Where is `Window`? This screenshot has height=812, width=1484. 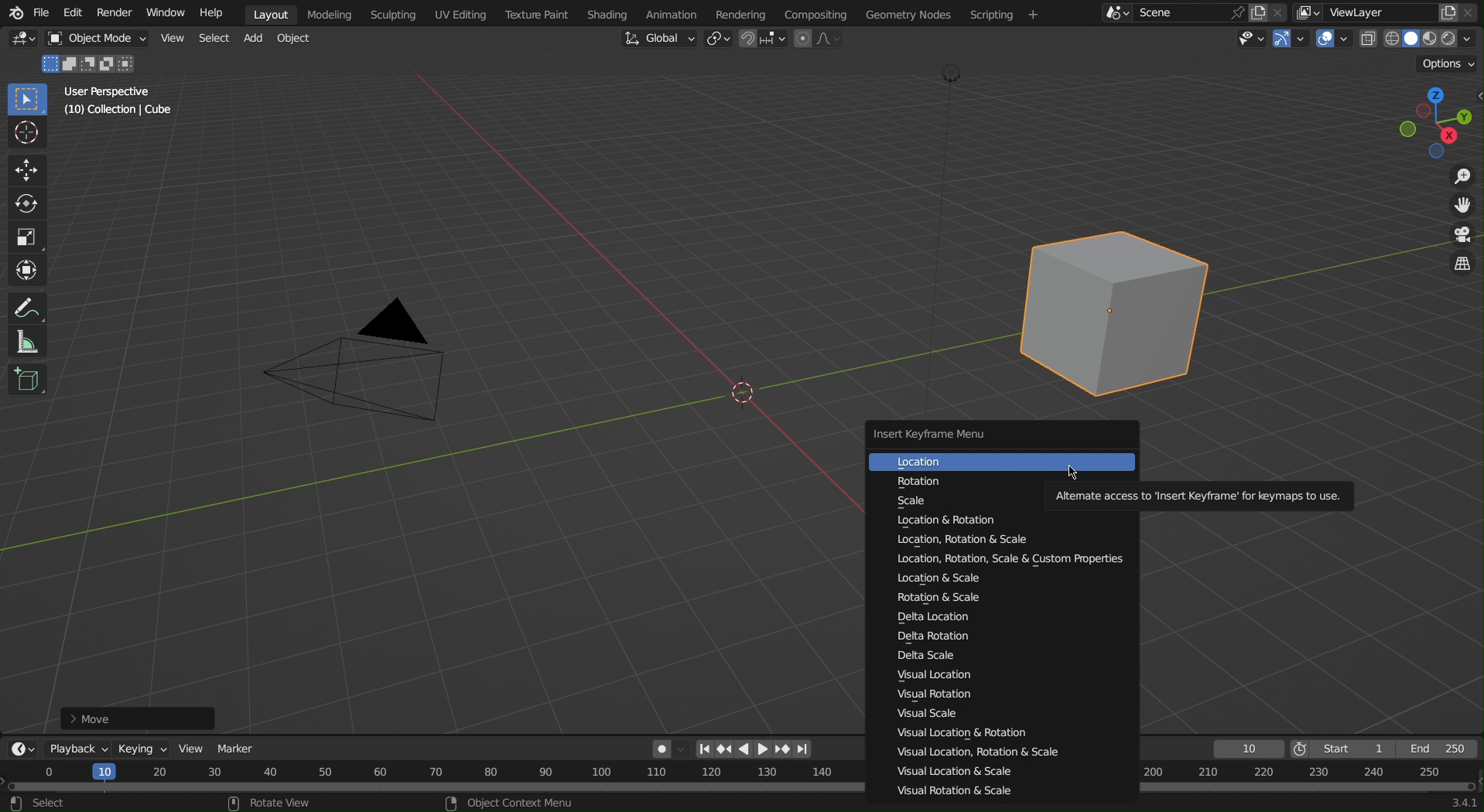
Window is located at coordinates (169, 12).